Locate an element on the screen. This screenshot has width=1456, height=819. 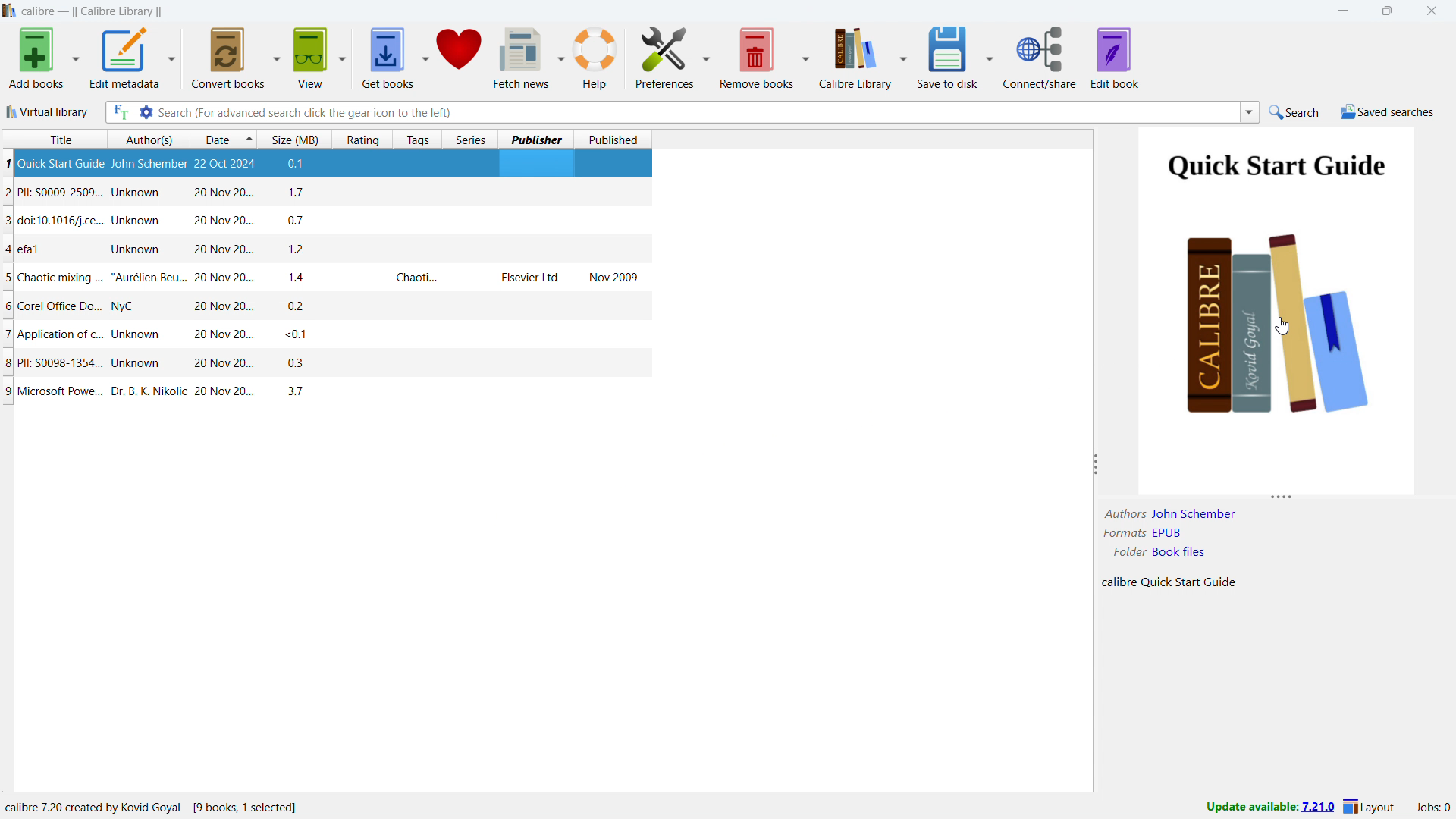
view is located at coordinates (312, 57).